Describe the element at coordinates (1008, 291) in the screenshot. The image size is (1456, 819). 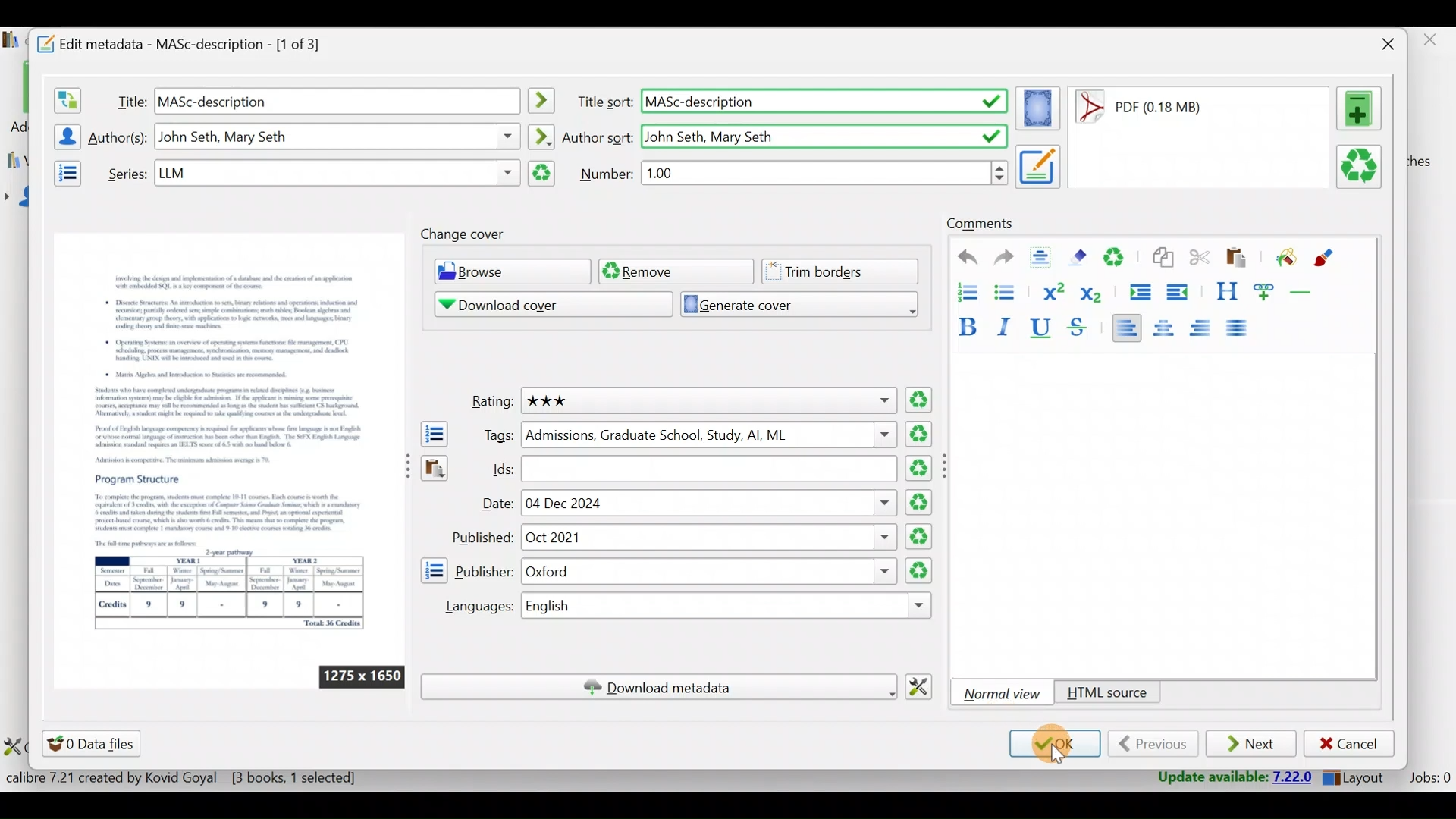
I see `Unordered list` at that location.